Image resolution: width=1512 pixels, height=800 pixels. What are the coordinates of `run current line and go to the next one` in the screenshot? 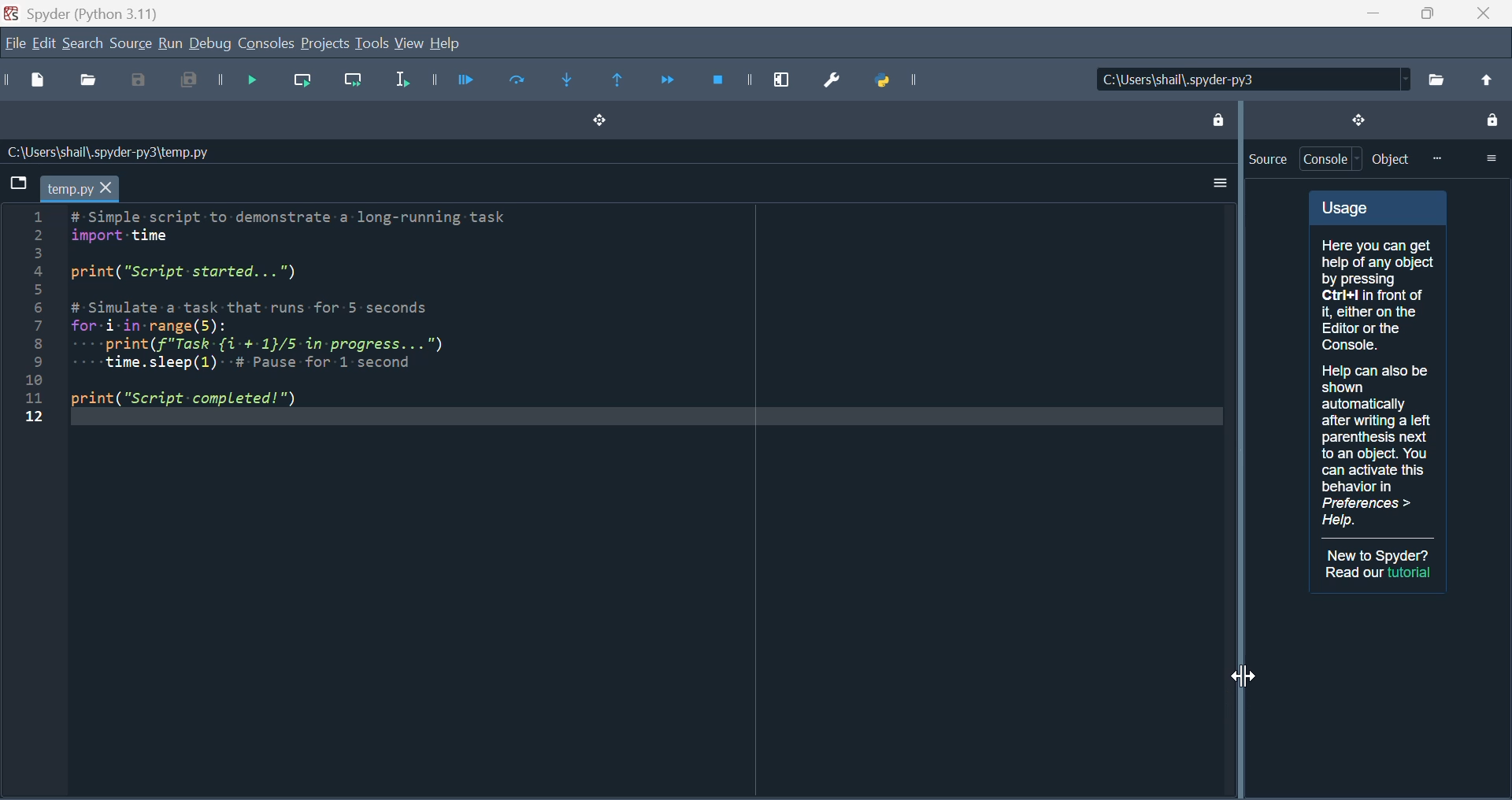 It's located at (356, 84).